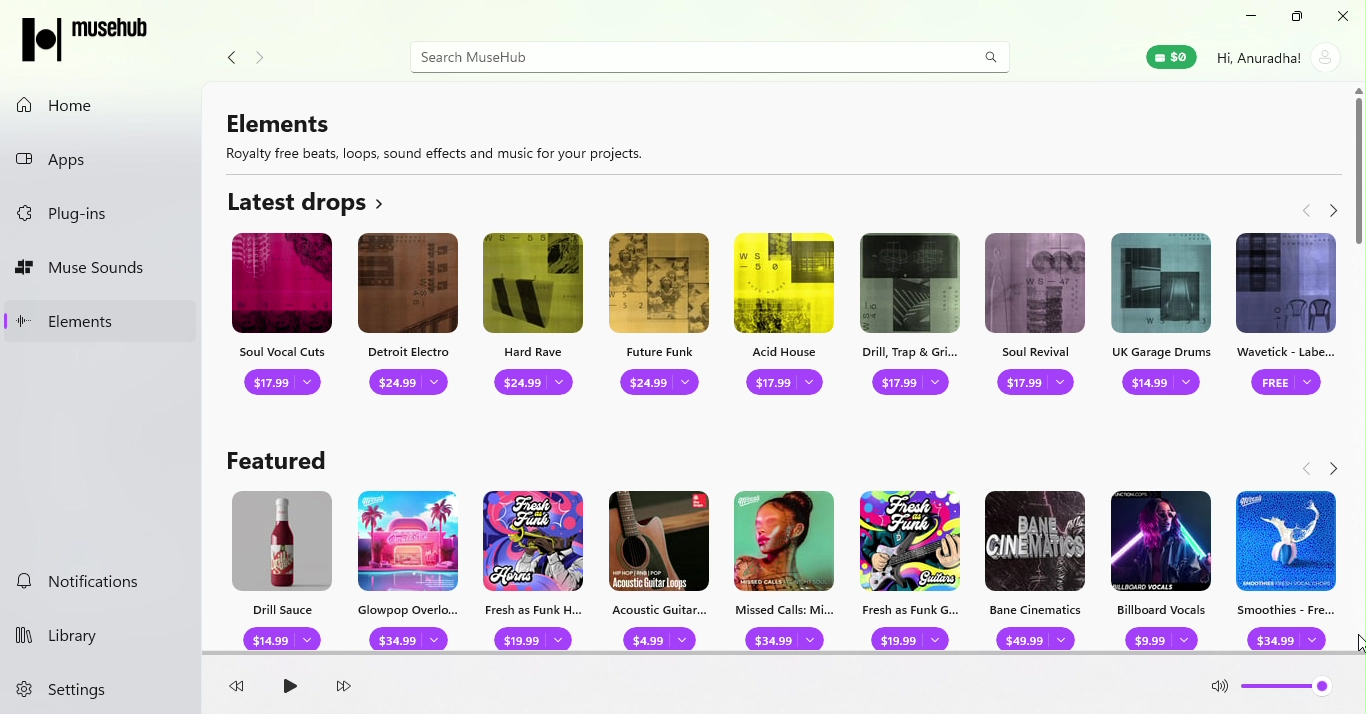 The image size is (1366, 714). Describe the element at coordinates (910, 568) in the screenshot. I see `Fresh as Funk Guitars` at that location.